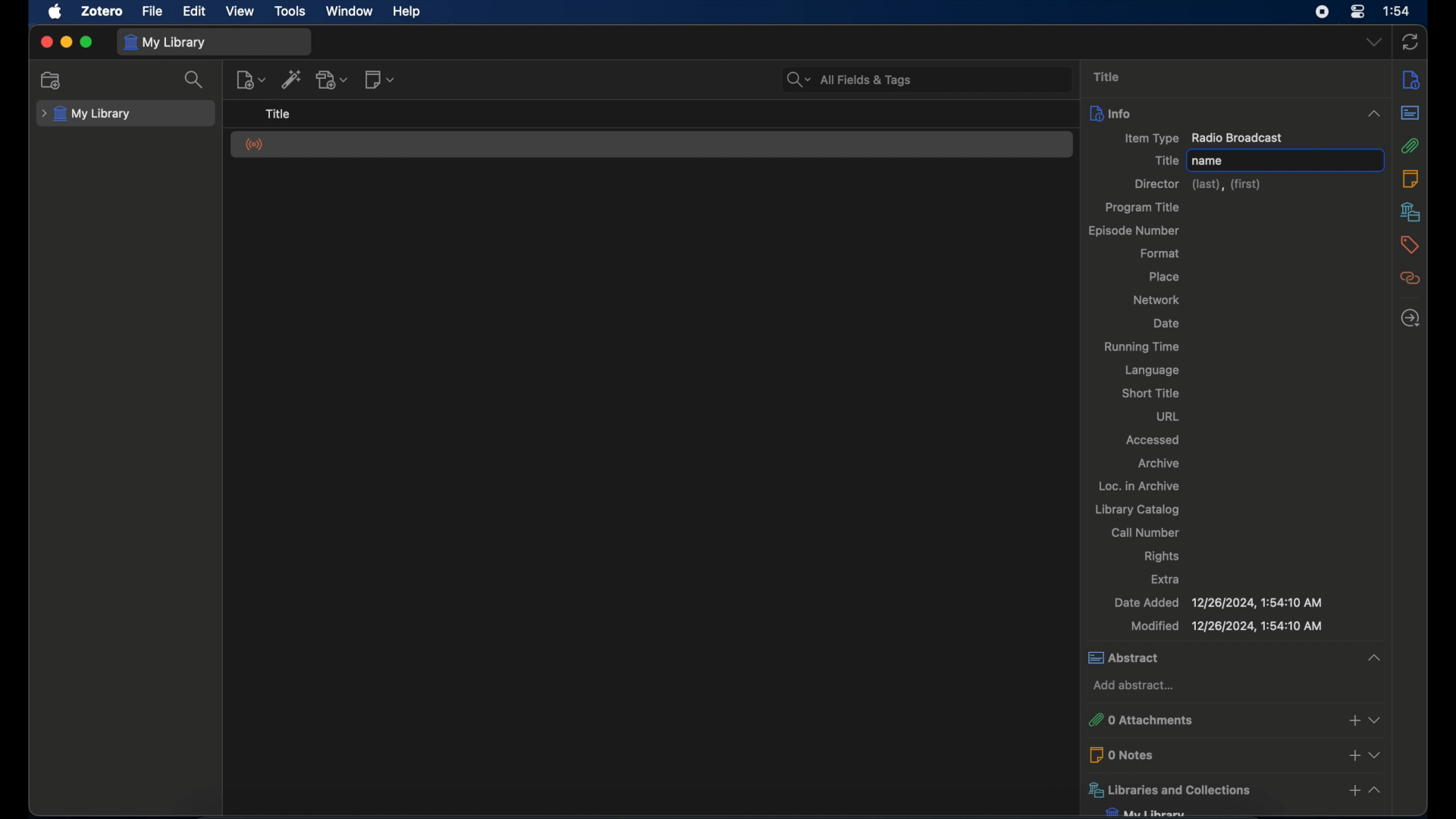  What do you see at coordinates (1160, 254) in the screenshot?
I see `format` at bounding box center [1160, 254].